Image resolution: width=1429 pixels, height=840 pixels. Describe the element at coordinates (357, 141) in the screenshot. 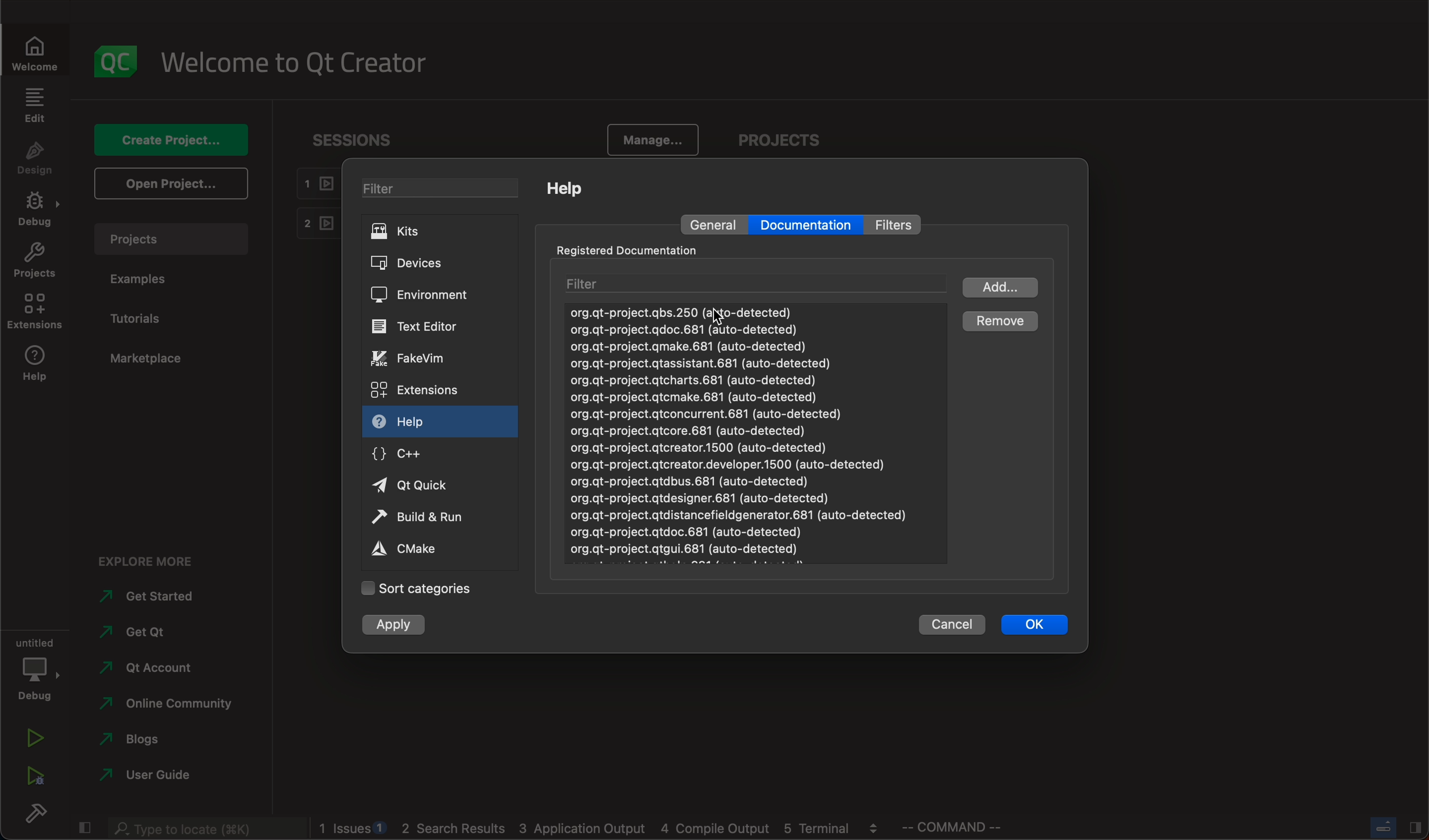

I see `sessions` at that location.